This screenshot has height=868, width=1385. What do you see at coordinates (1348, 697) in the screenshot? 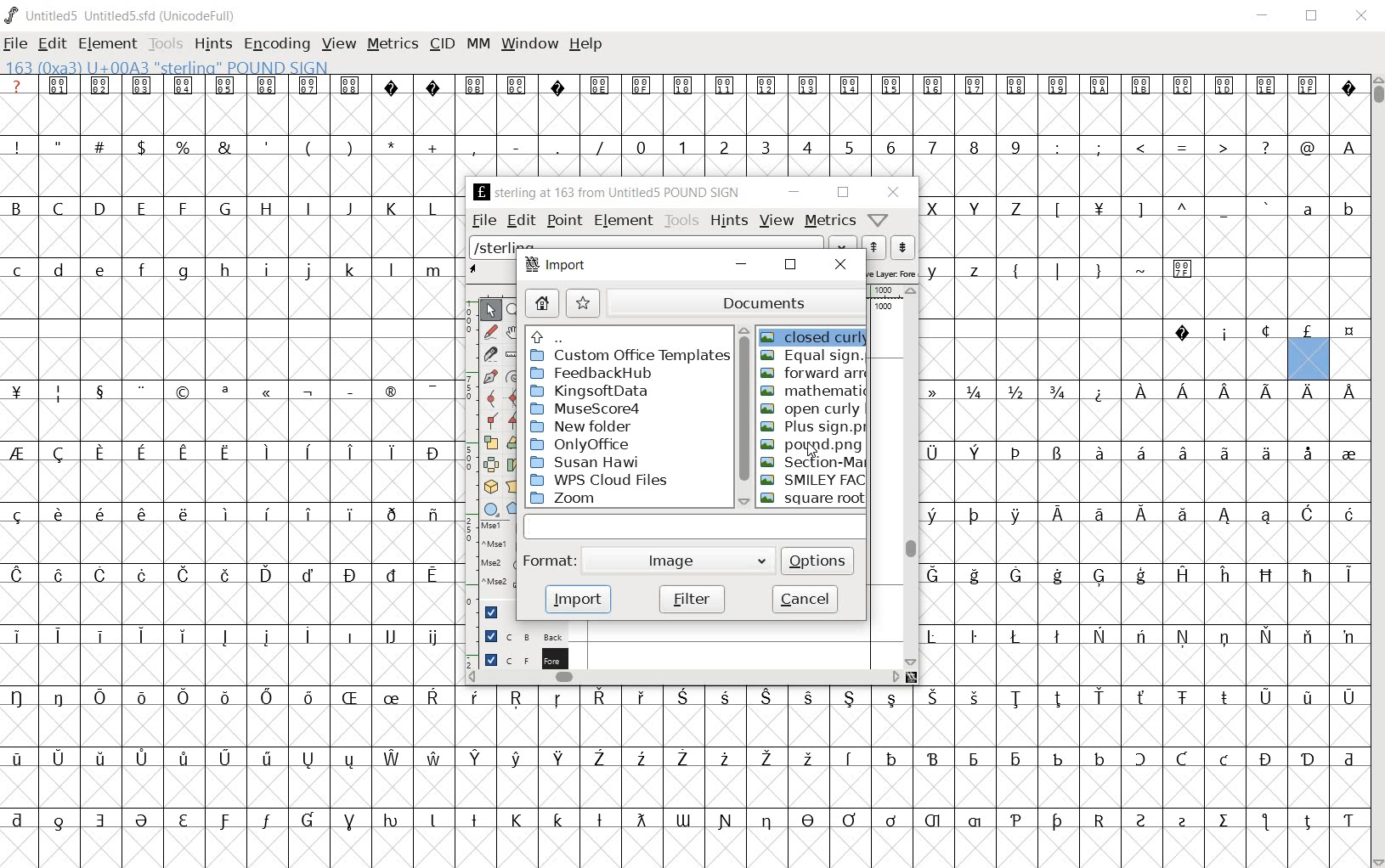
I see `Symbol` at bounding box center [1348, 697].